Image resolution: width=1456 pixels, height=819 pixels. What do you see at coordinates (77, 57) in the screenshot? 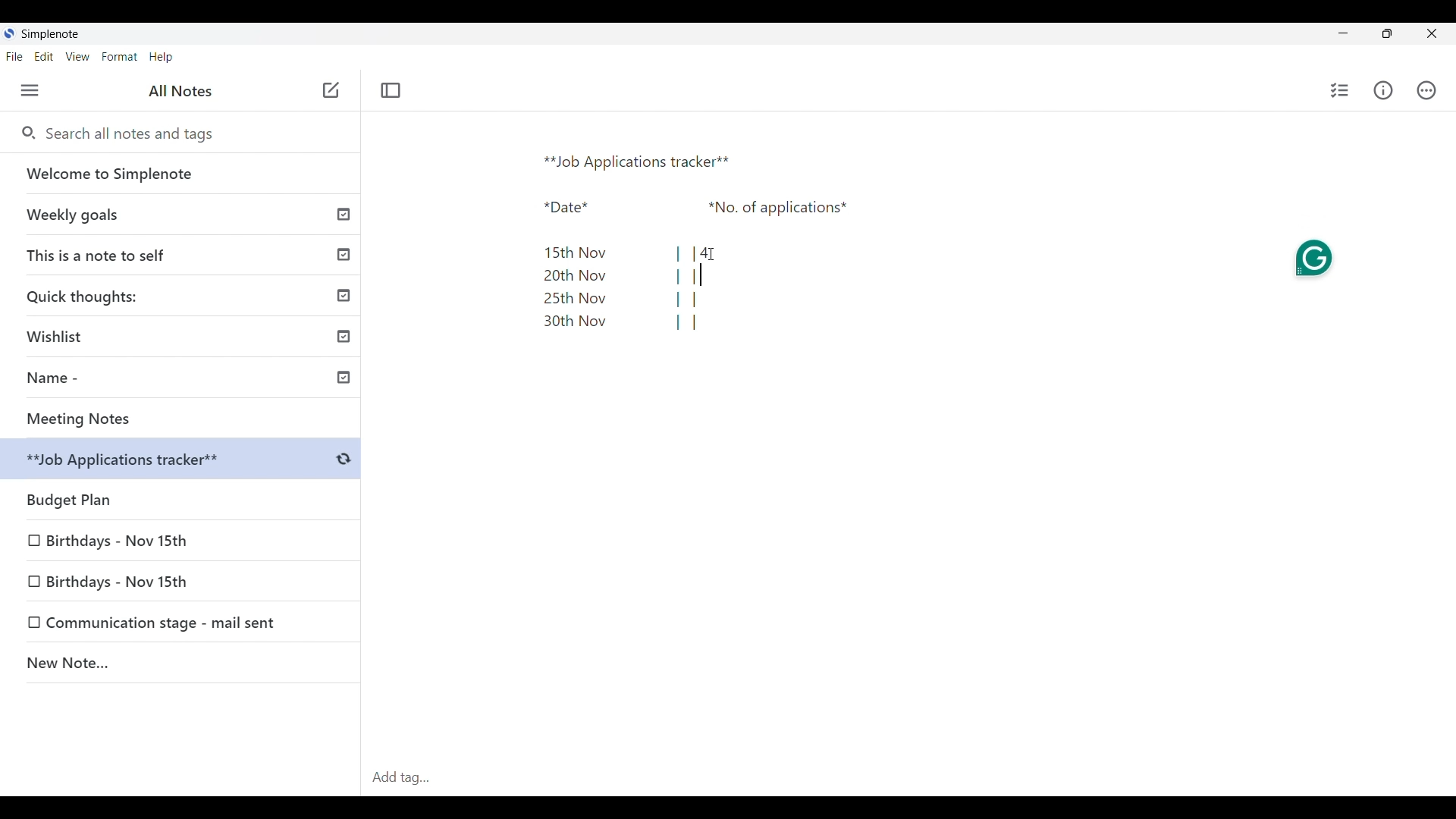
I see `View` at bounding box center [77, 57].